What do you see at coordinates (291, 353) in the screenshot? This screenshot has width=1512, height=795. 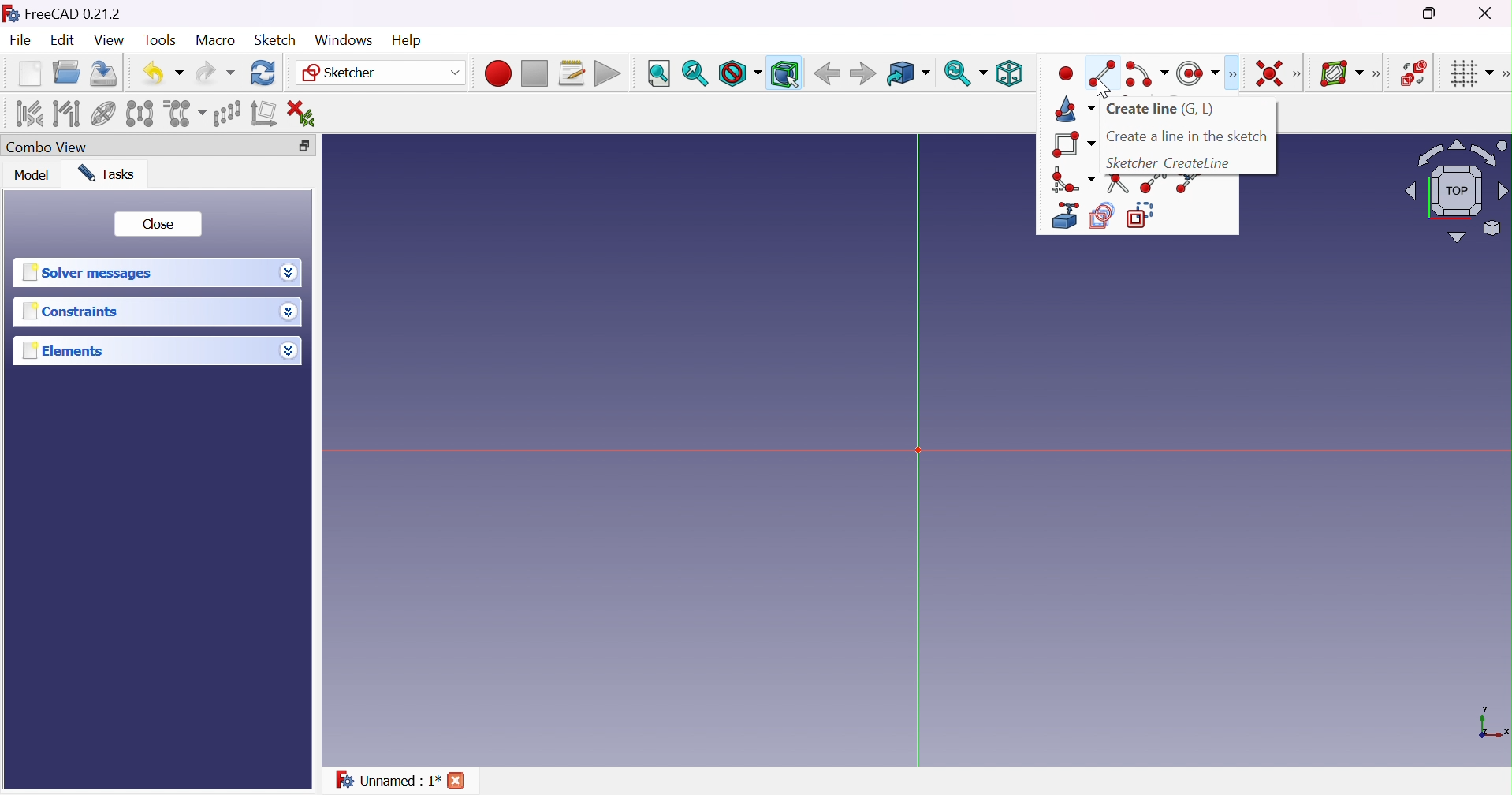 I see `Drop down` at bounding box center [291, 353].